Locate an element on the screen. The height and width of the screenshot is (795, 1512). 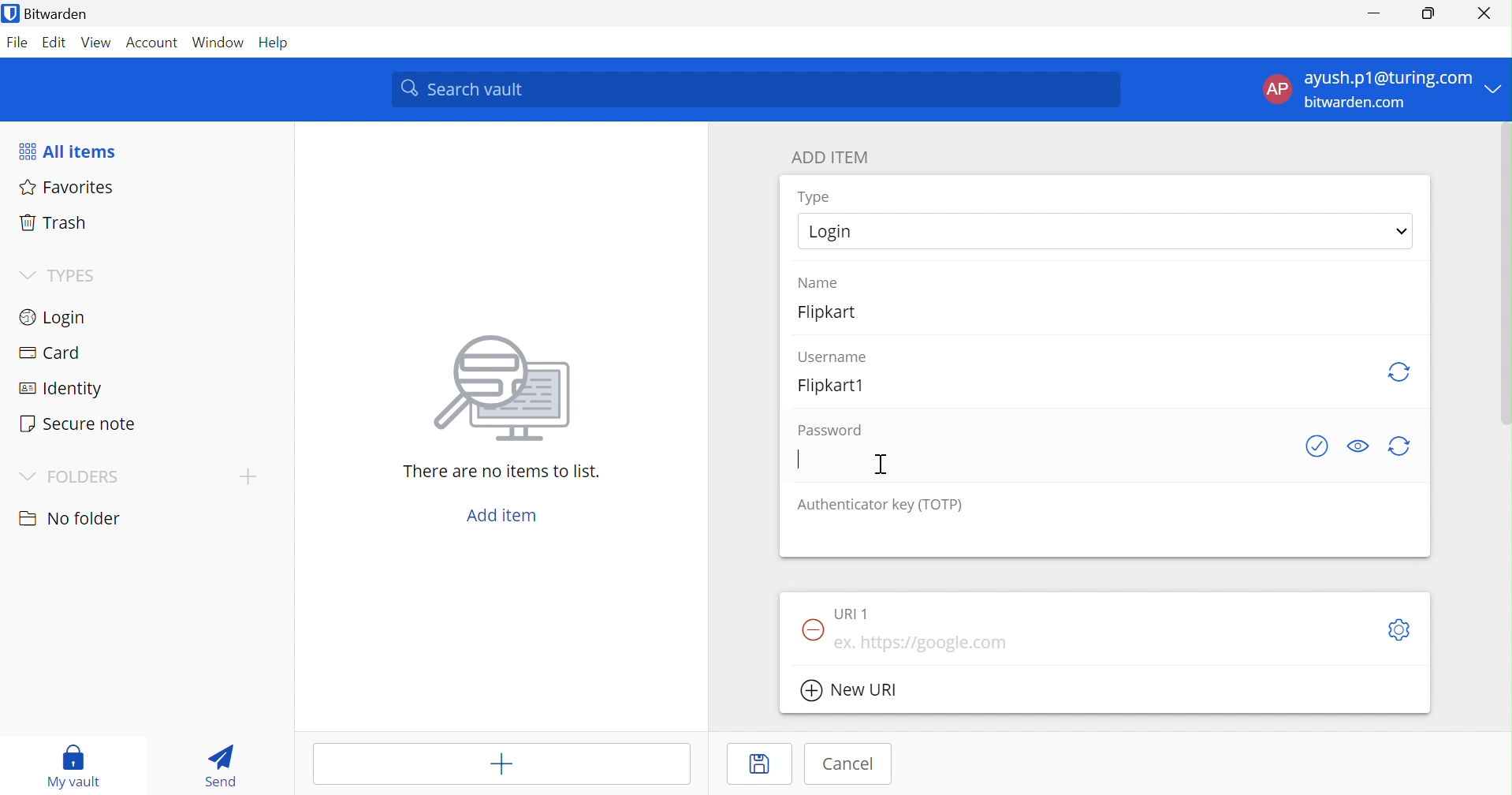
See if password has been exposed is located at coordinates (1317, 447).